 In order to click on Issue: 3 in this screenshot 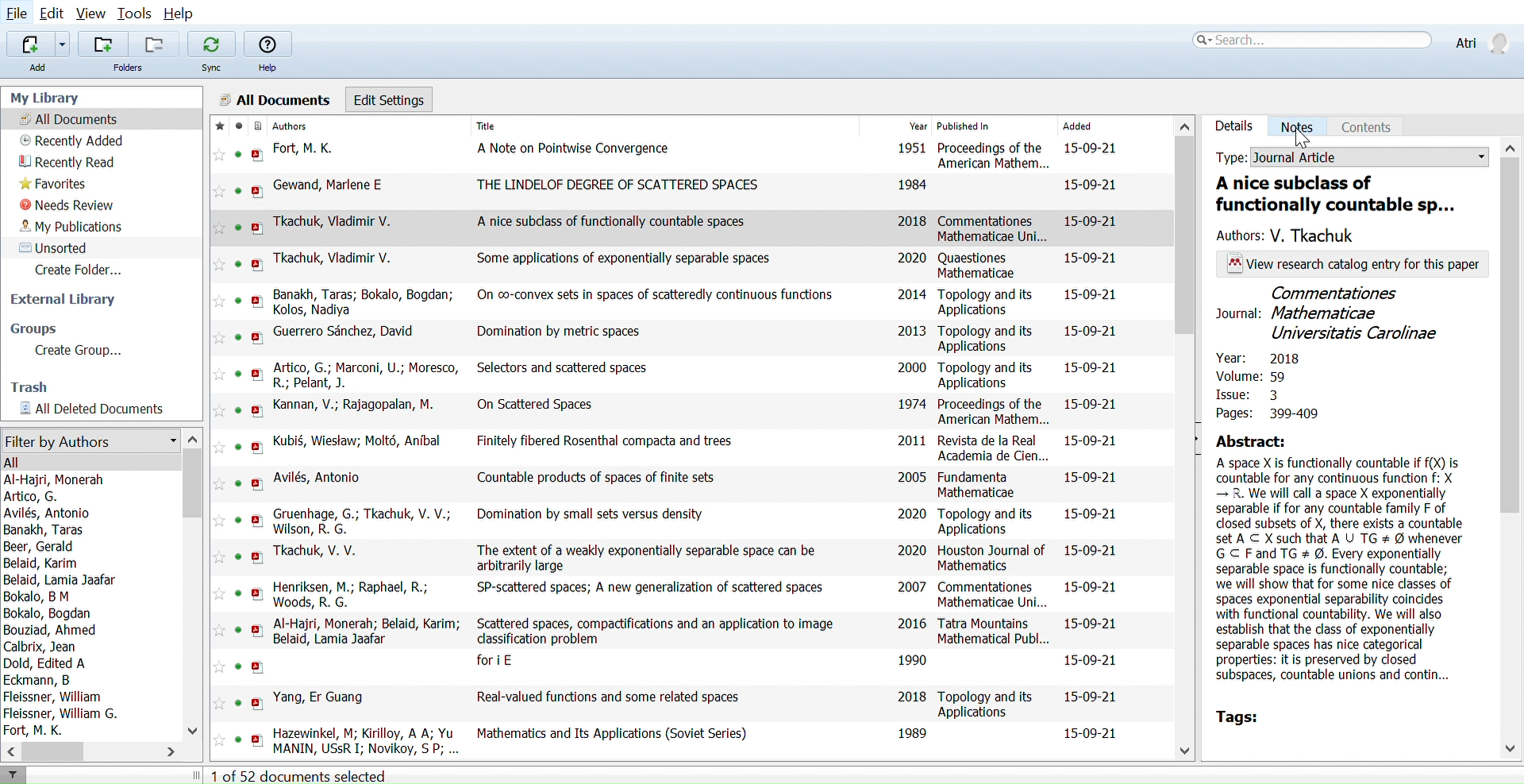, I will do `click(1251, 396)`.